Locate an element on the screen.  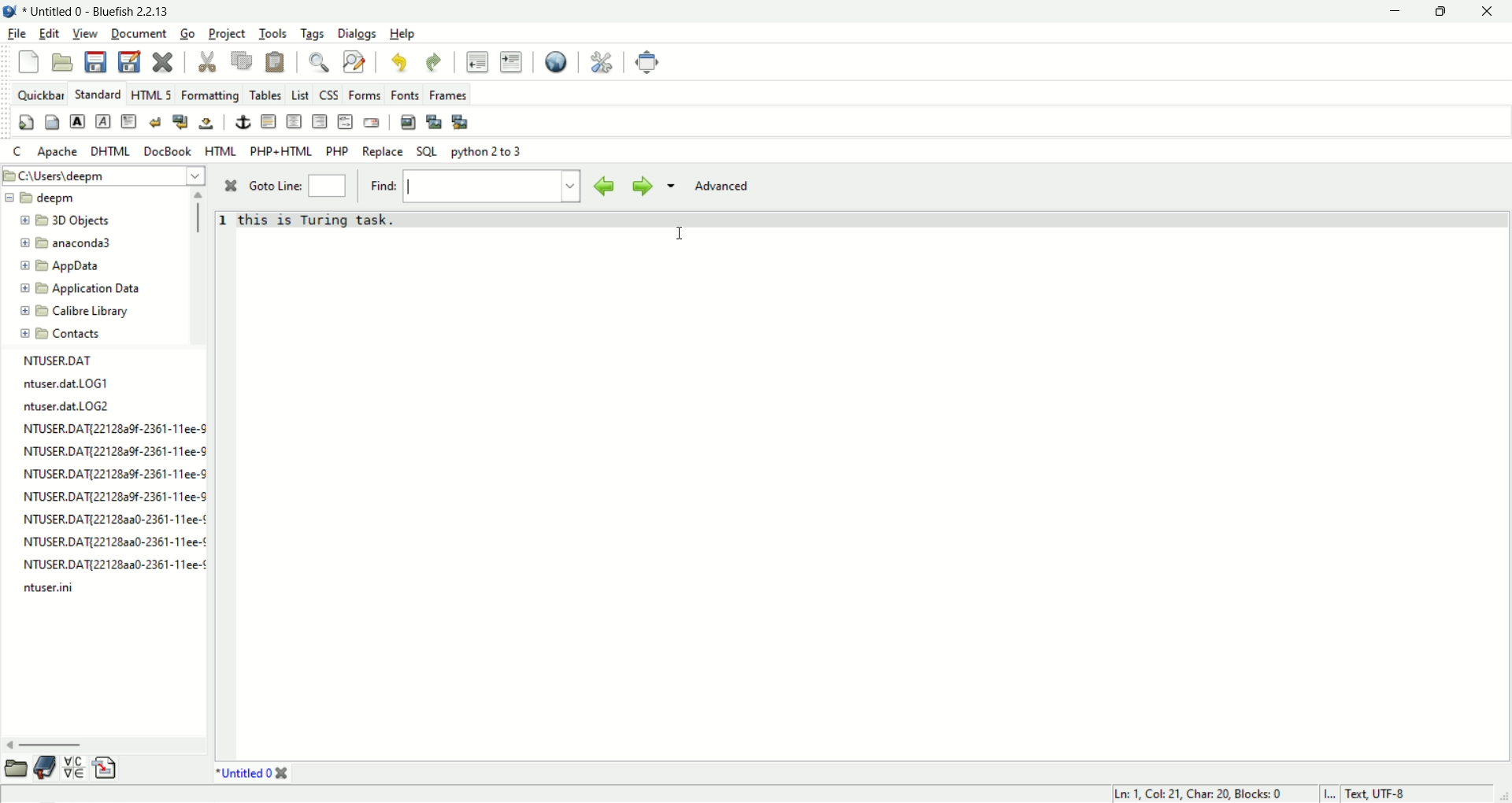
document is located at coordinates (139, 32).